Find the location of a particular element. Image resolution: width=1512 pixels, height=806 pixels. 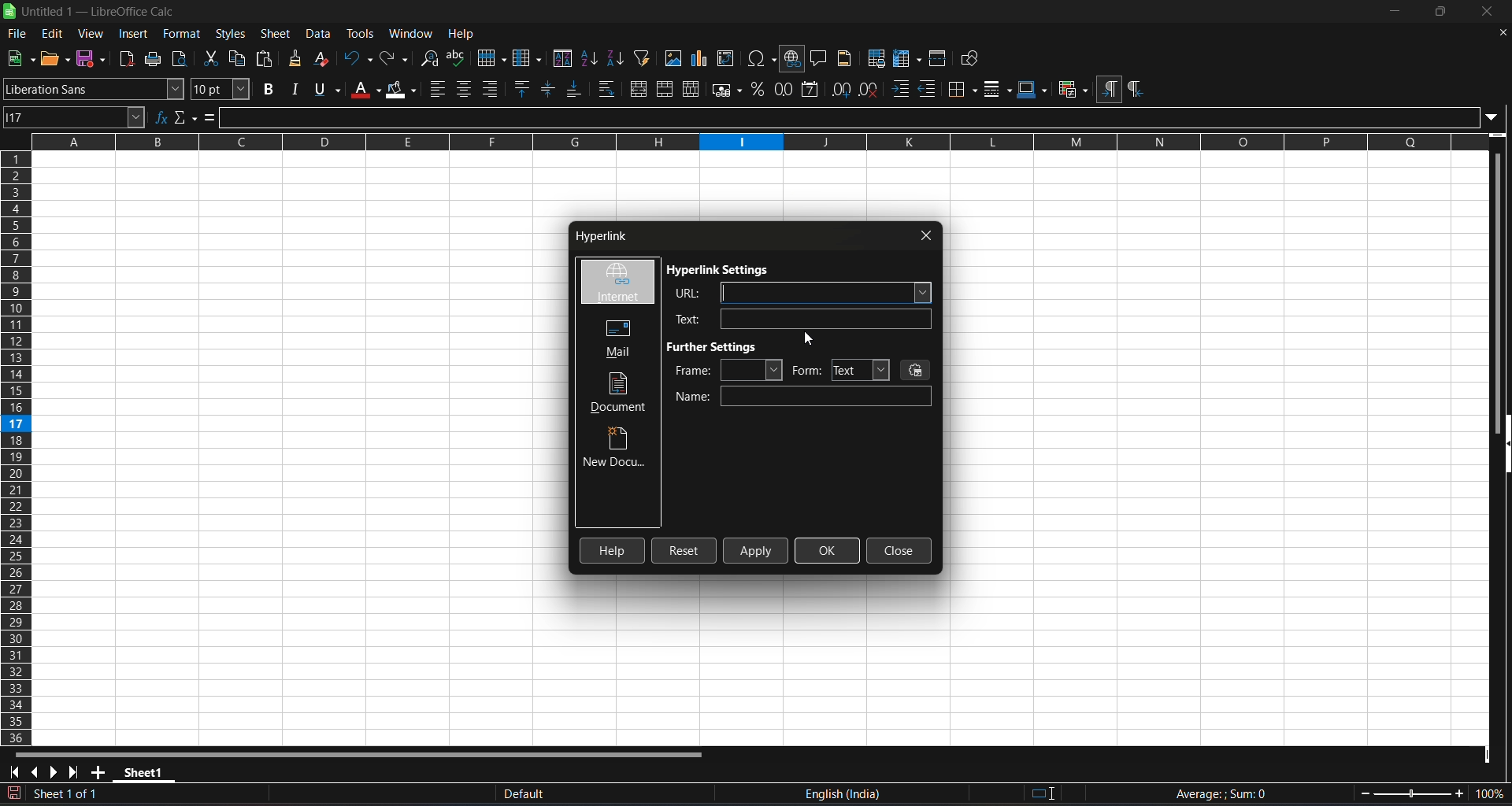

find and replace is located at coordinates (431, 59).